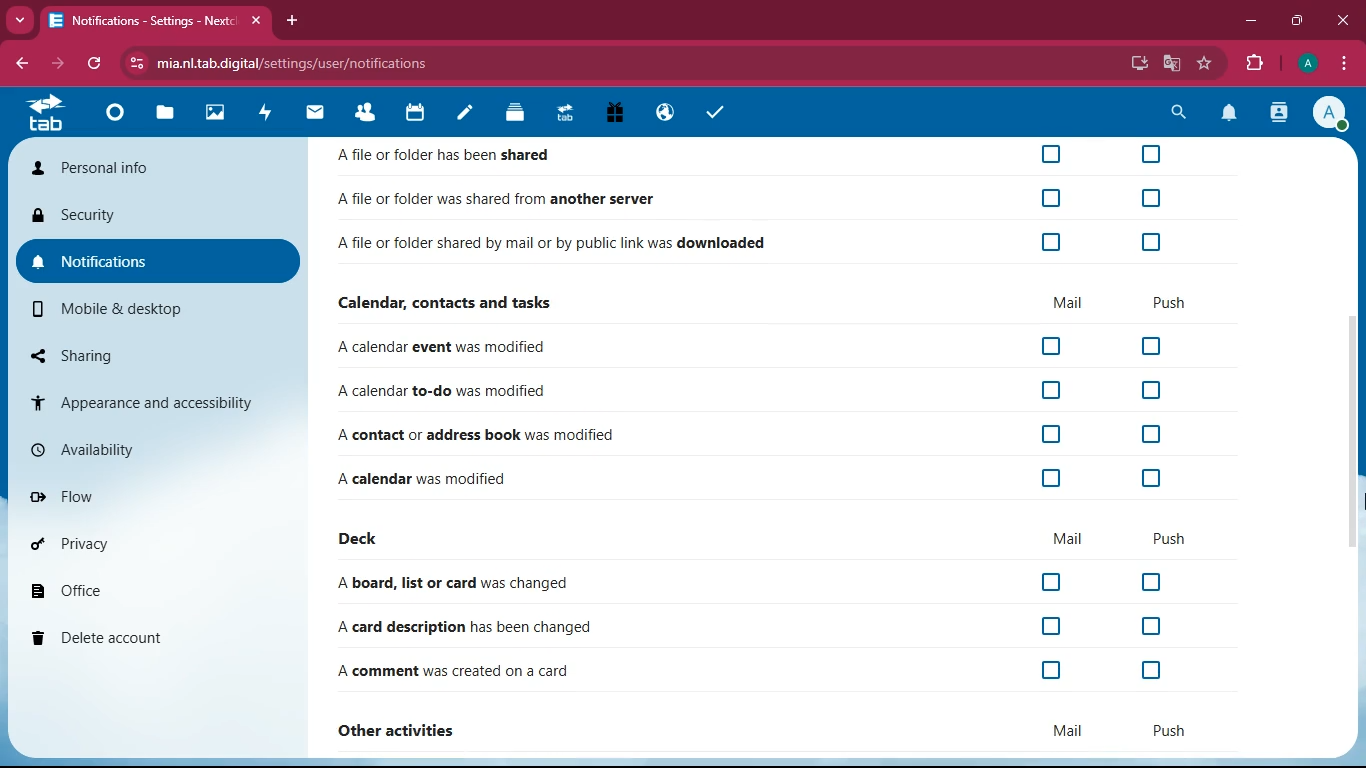 This screenshot has height=768, width=1366. Describe the element at coordinates (1049, 156) in the screenshot. I see `off` at that location.